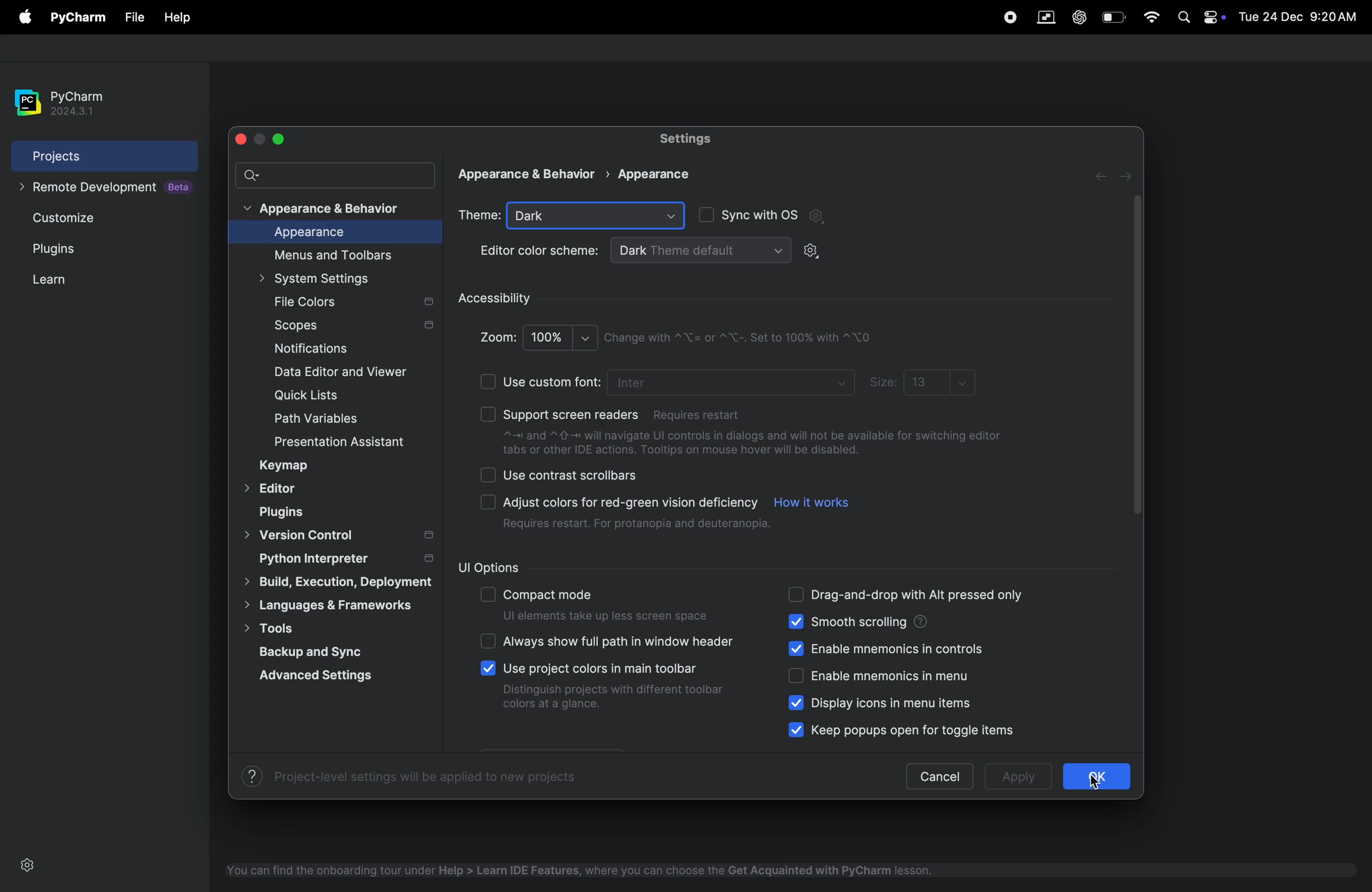 This screenshot has height=892, width=1372. I want to click on theme, so click(479, 214).